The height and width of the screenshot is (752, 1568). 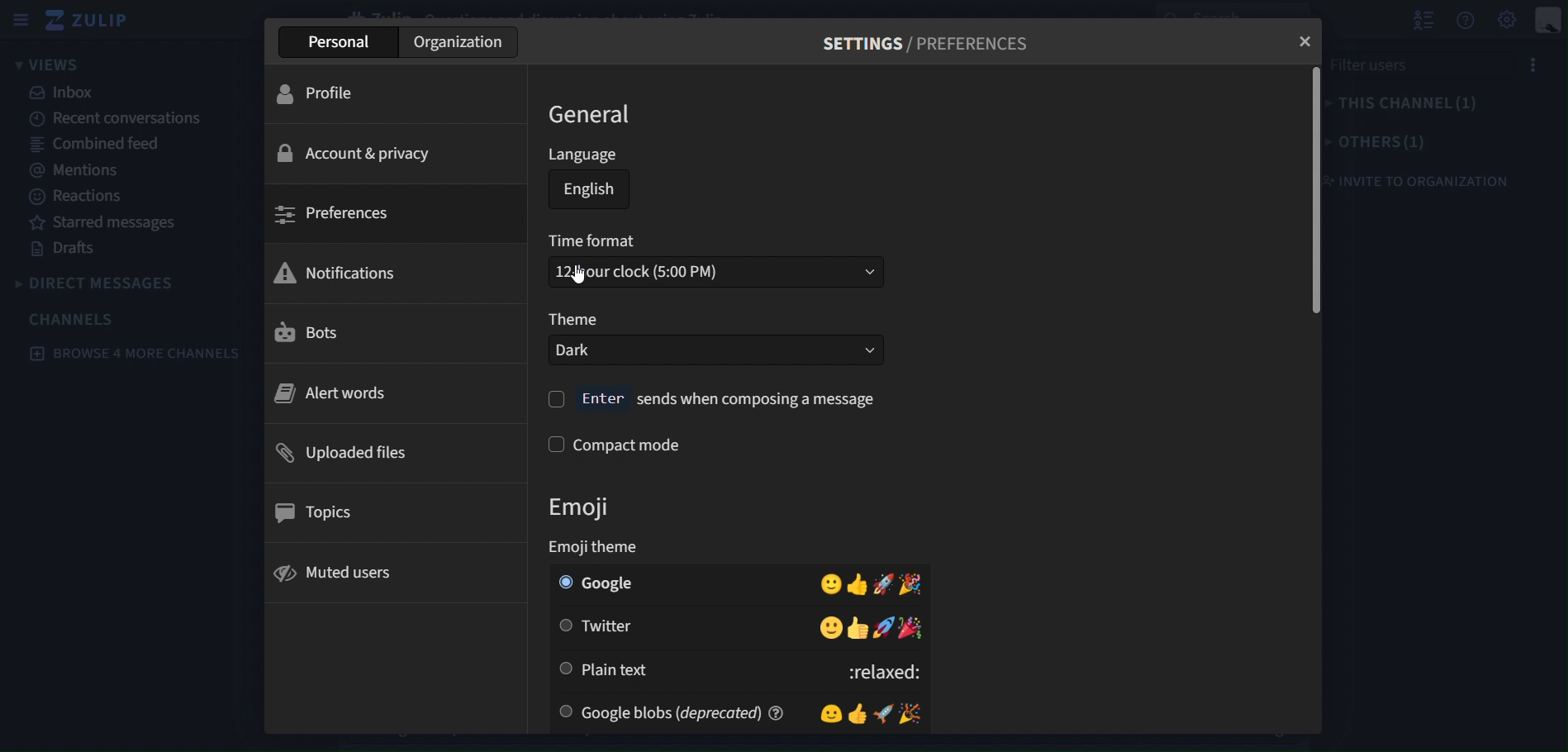 I want to click on Theme, so click(x=579, y=319).